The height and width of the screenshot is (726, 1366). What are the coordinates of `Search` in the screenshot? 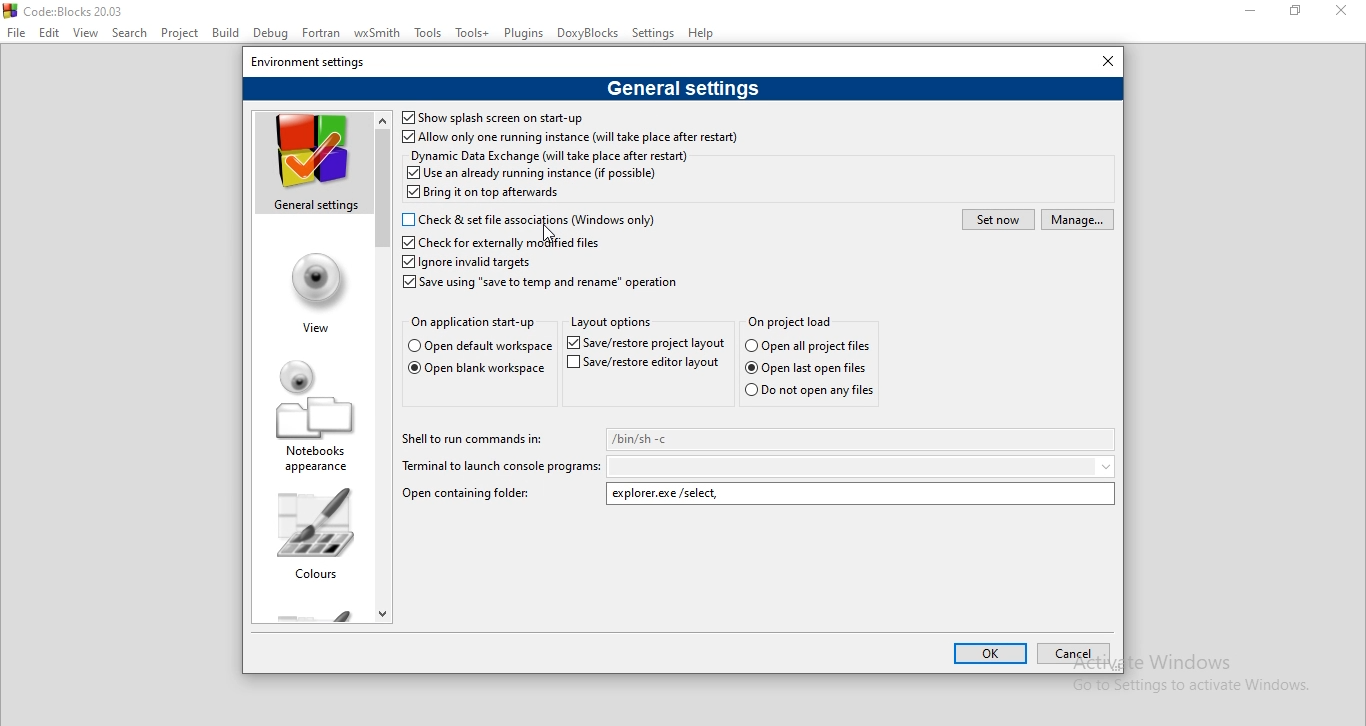 It's located at (131, 34).